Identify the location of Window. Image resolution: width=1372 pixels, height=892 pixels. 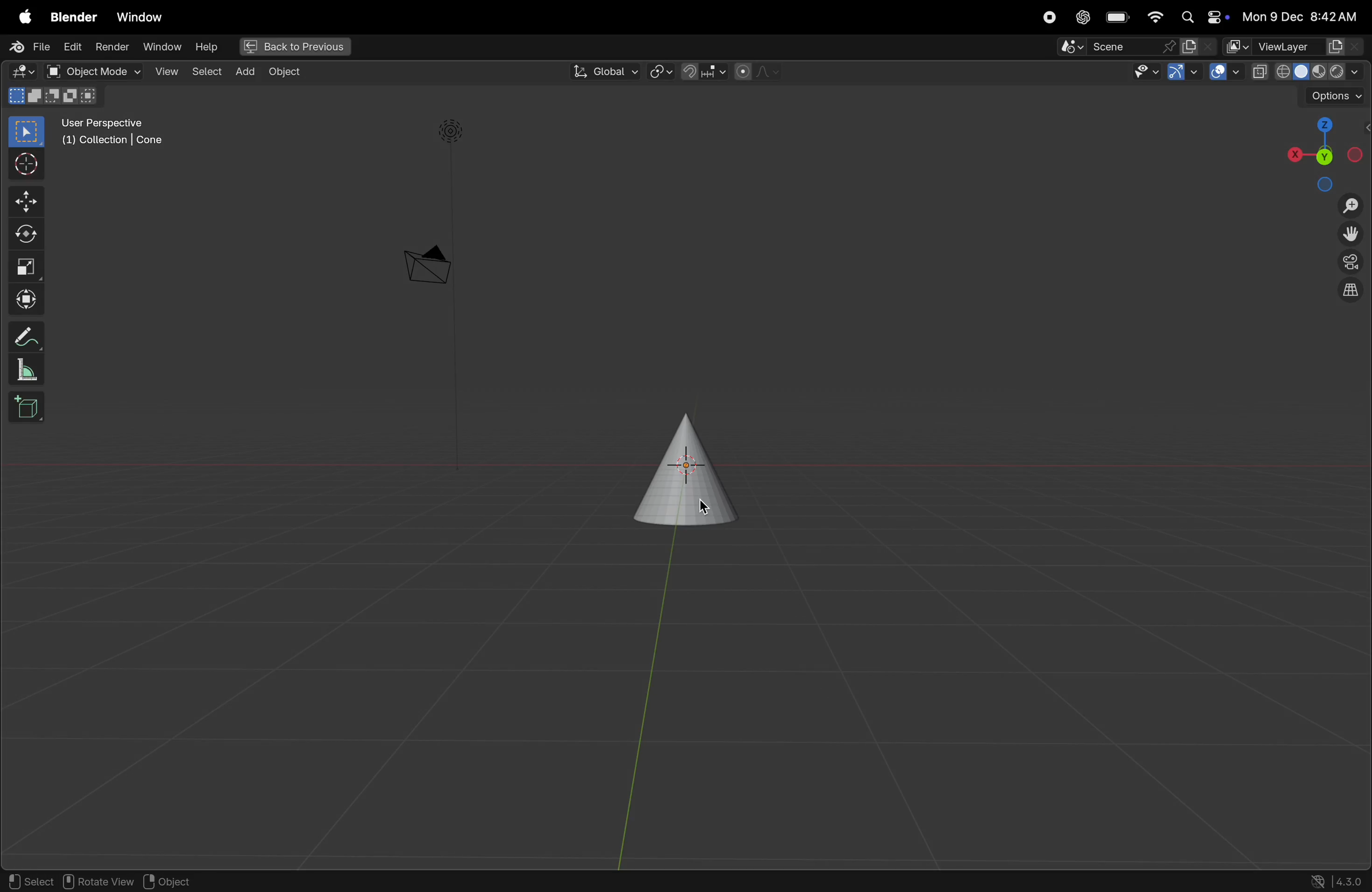
(140, 17).